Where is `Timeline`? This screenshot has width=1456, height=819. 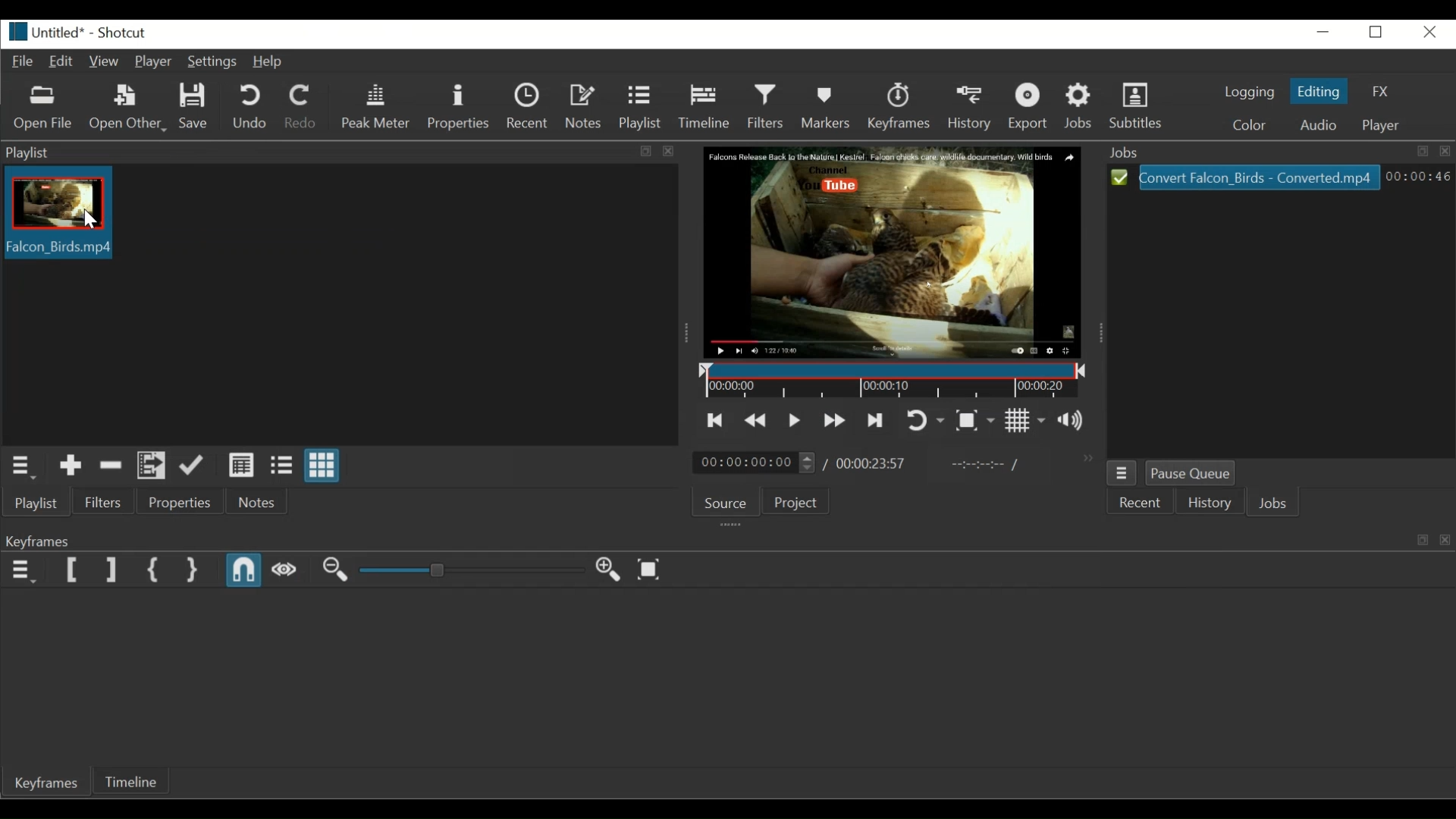
Timeline is located at coordinates (141, 781).